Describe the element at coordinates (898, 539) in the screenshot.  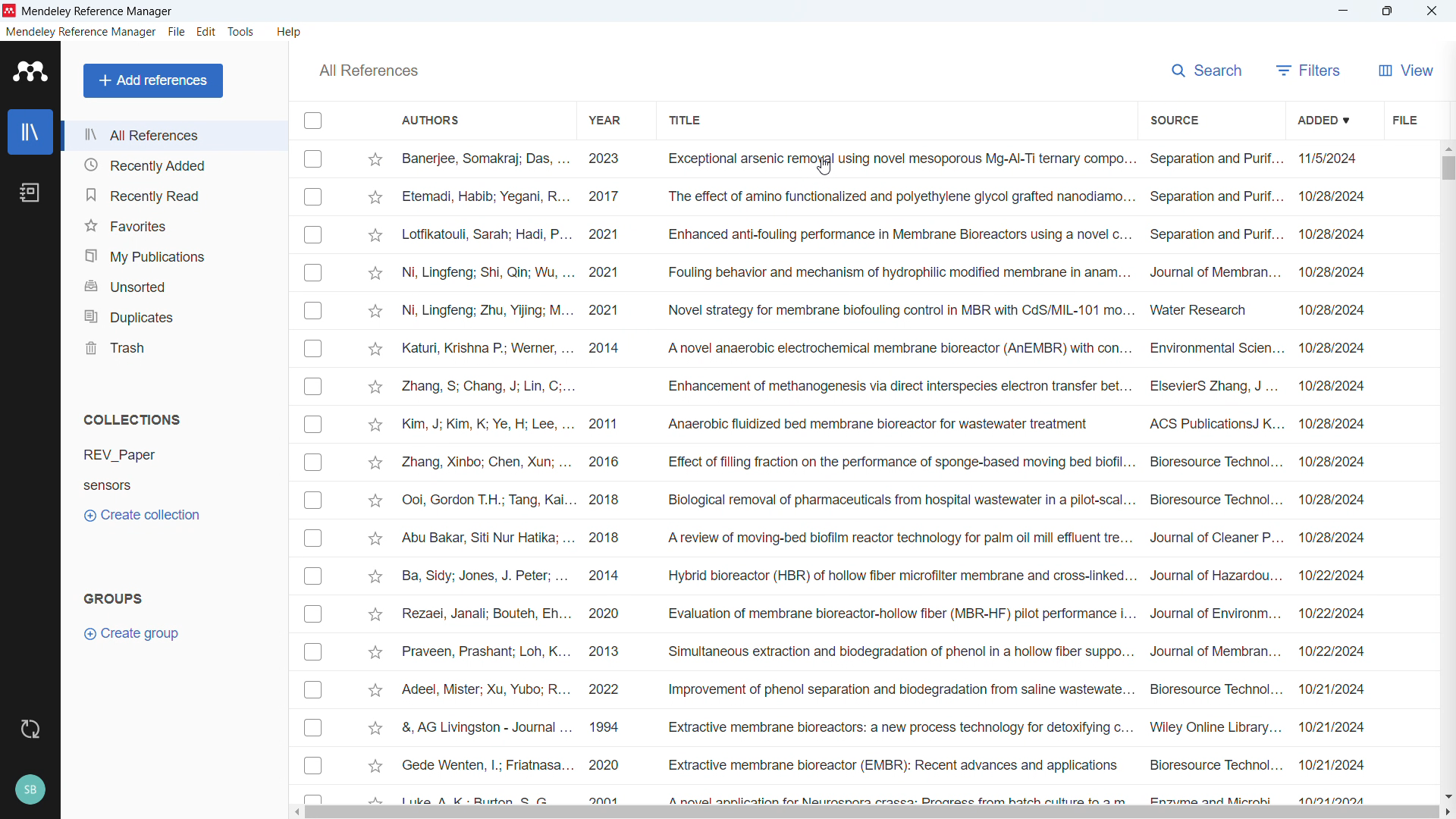
I see `a review of moving bed biofilm reactor technology for palm oil mill effluent tre` at that location.